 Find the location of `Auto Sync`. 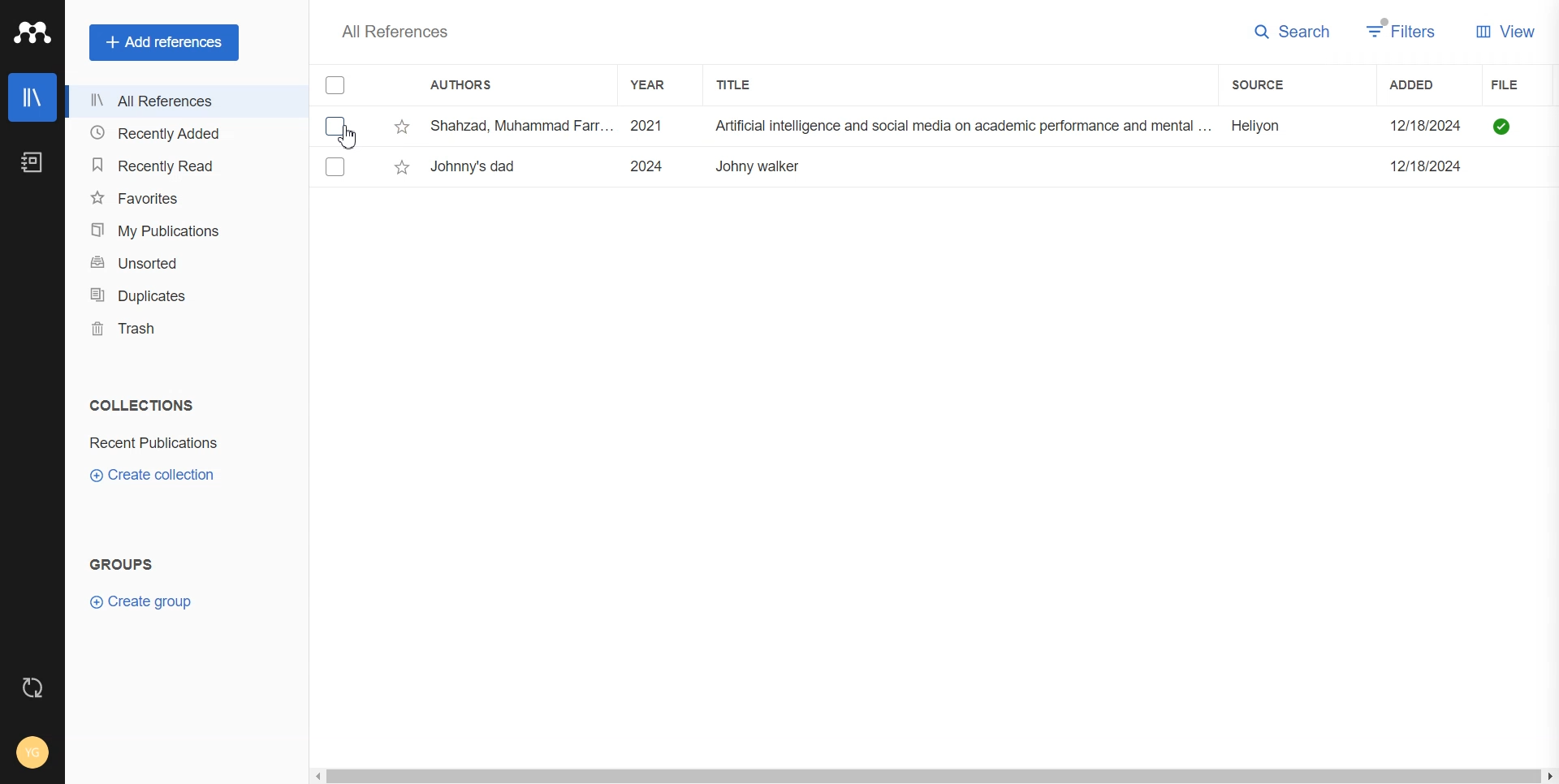

Auto Sync is located at coordinates (33, 687).